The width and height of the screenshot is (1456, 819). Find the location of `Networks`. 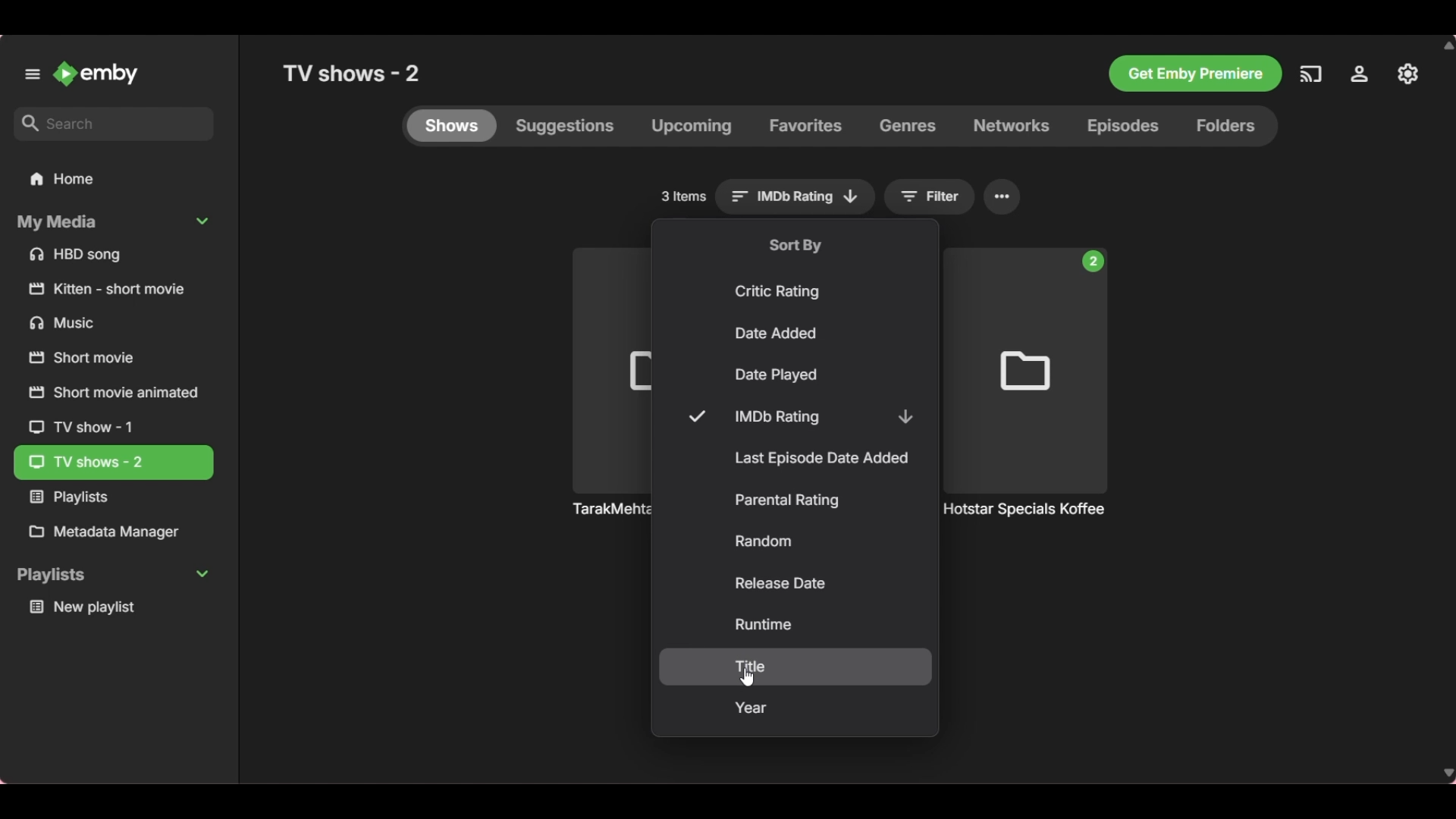

Networks is located at coordinates (1011, 126).